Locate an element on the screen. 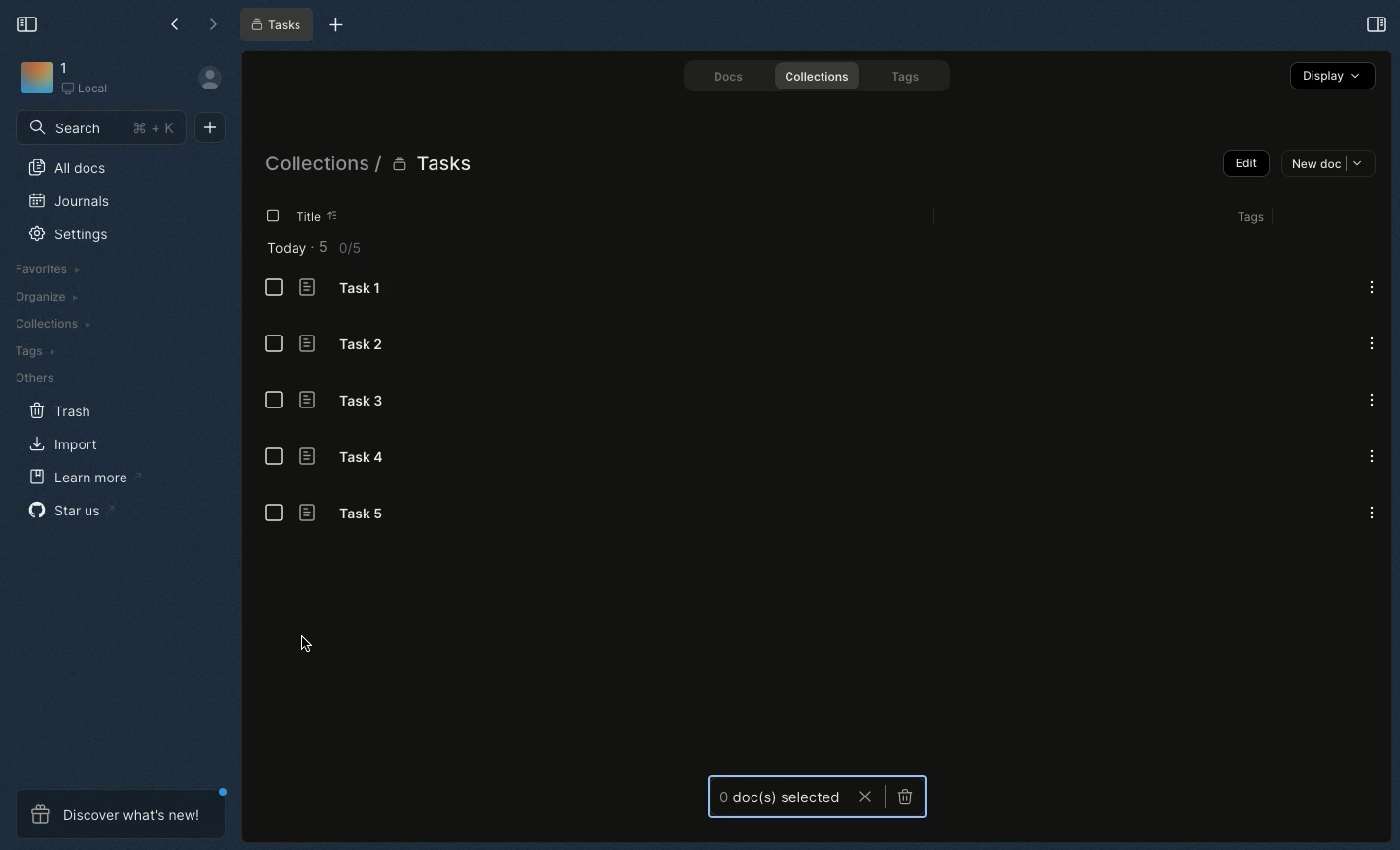 The image size is (1400, 850). New document is located at coordinates (210, 128).